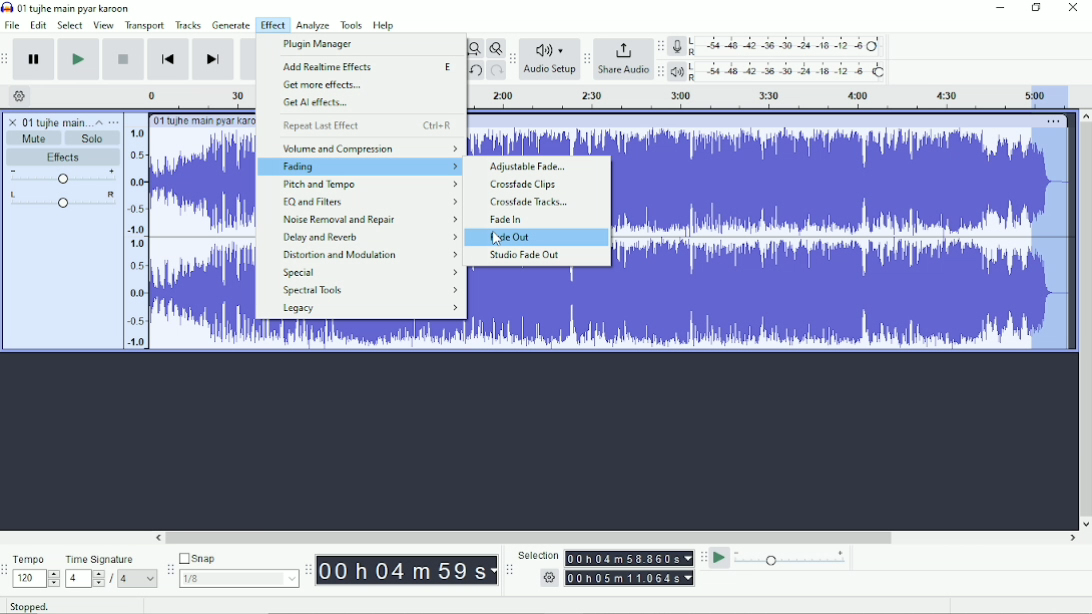 This screenshot has width=1092, height=614. I want to click on Generate, so click(232, 24).